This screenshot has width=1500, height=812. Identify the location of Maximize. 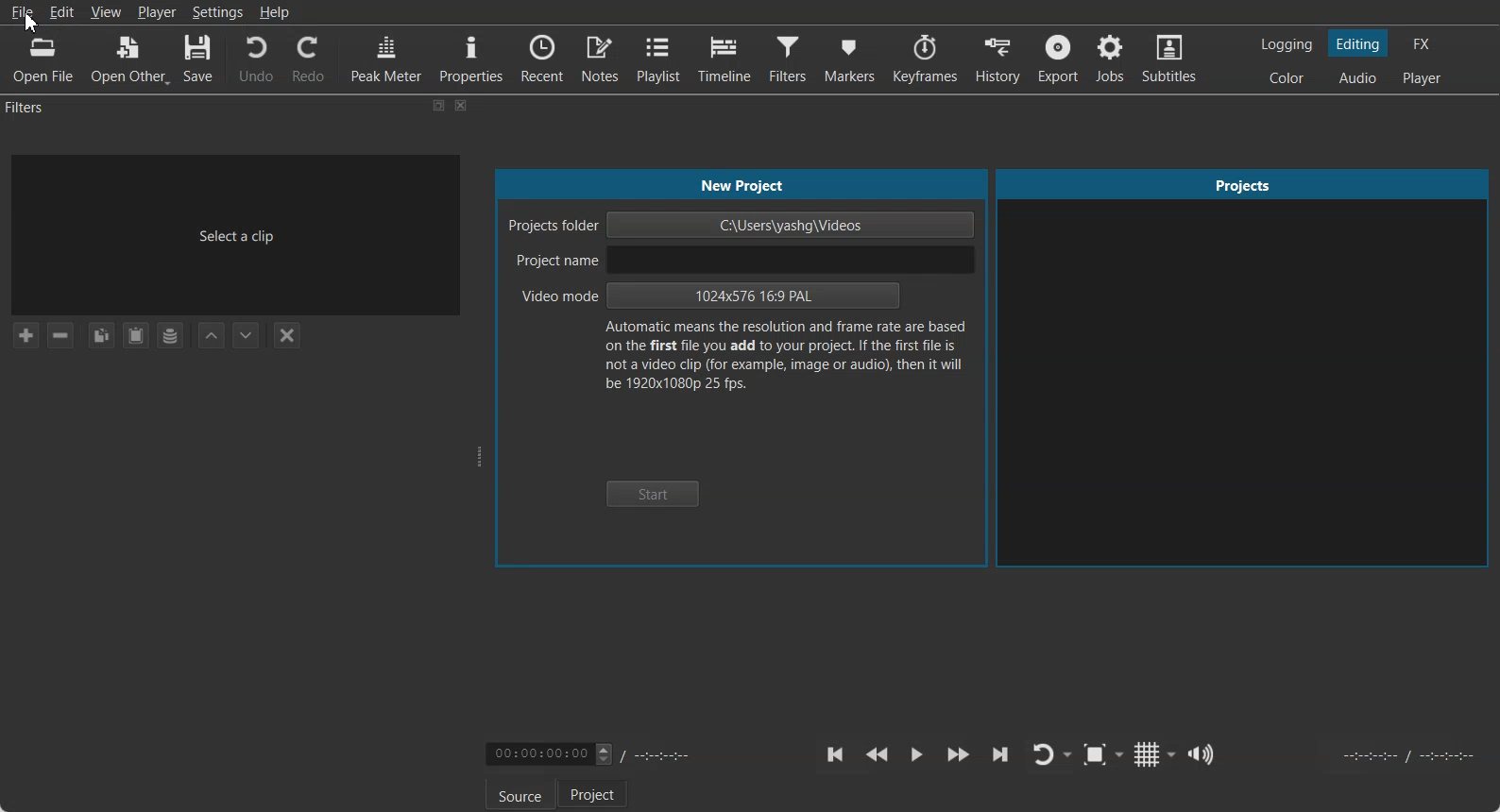
(439, 105).